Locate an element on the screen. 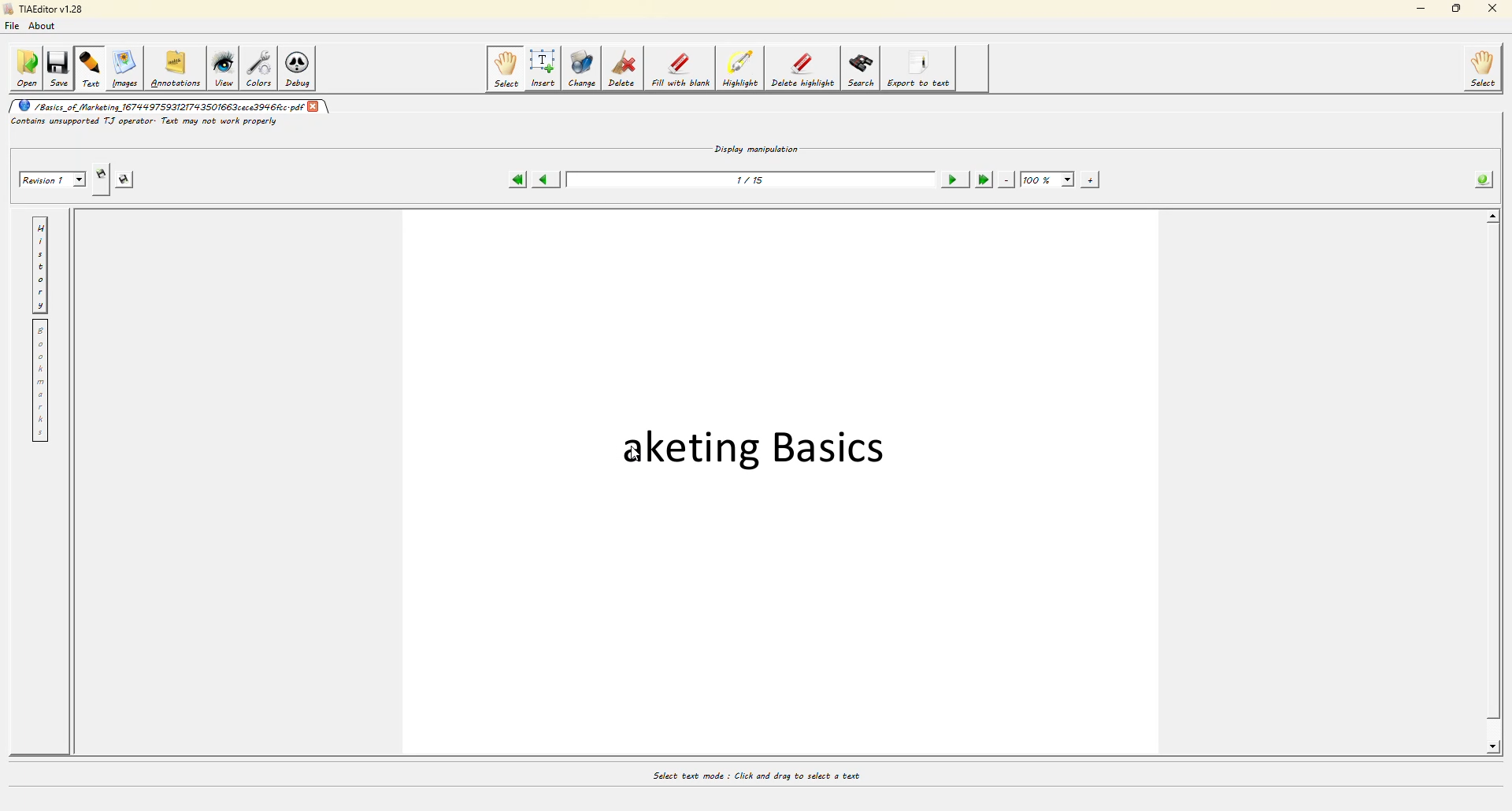  info about the pdf is located at coordinates (1480, 179).